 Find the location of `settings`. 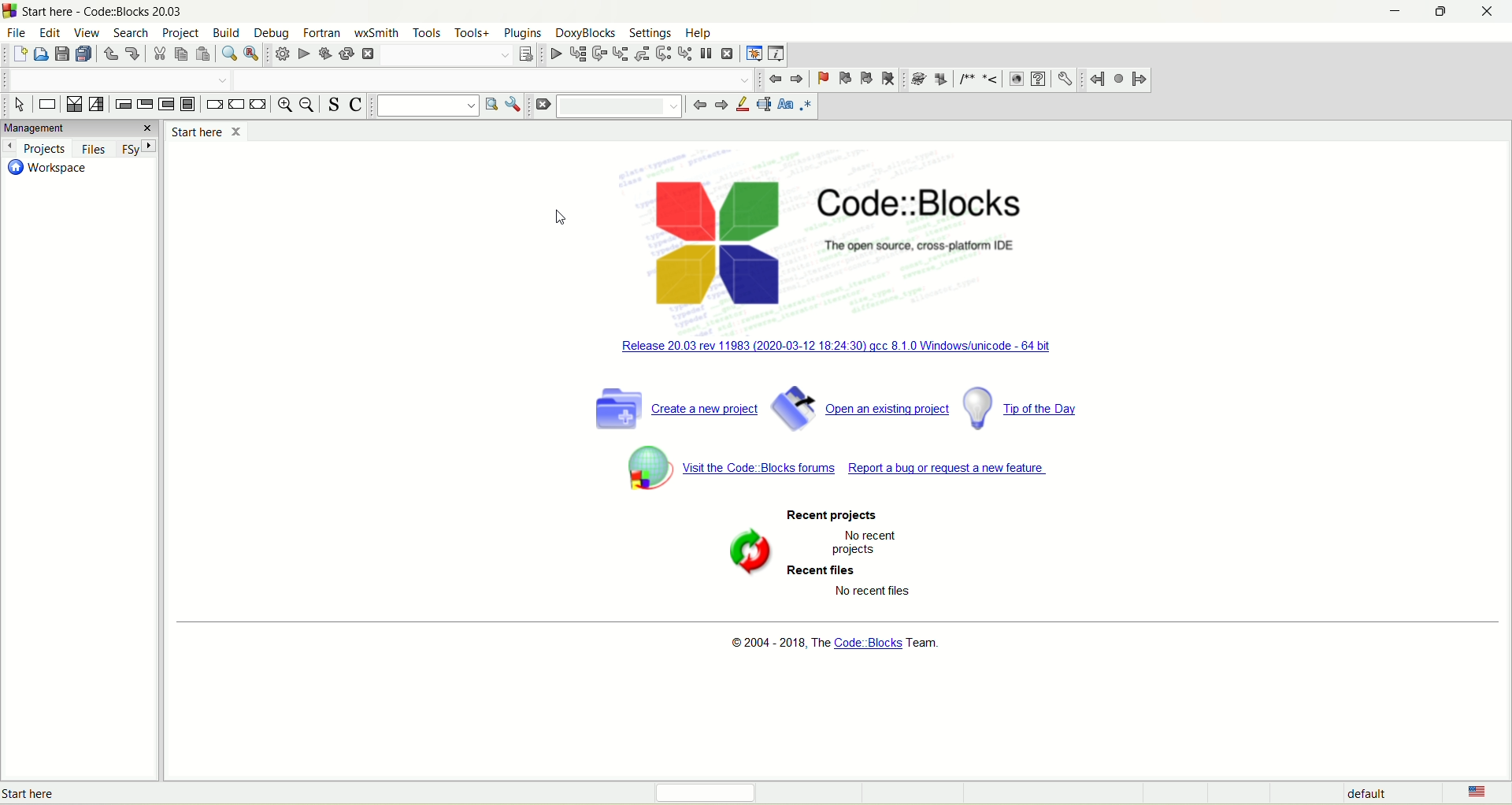

settings is located at coordinates (649, 32).